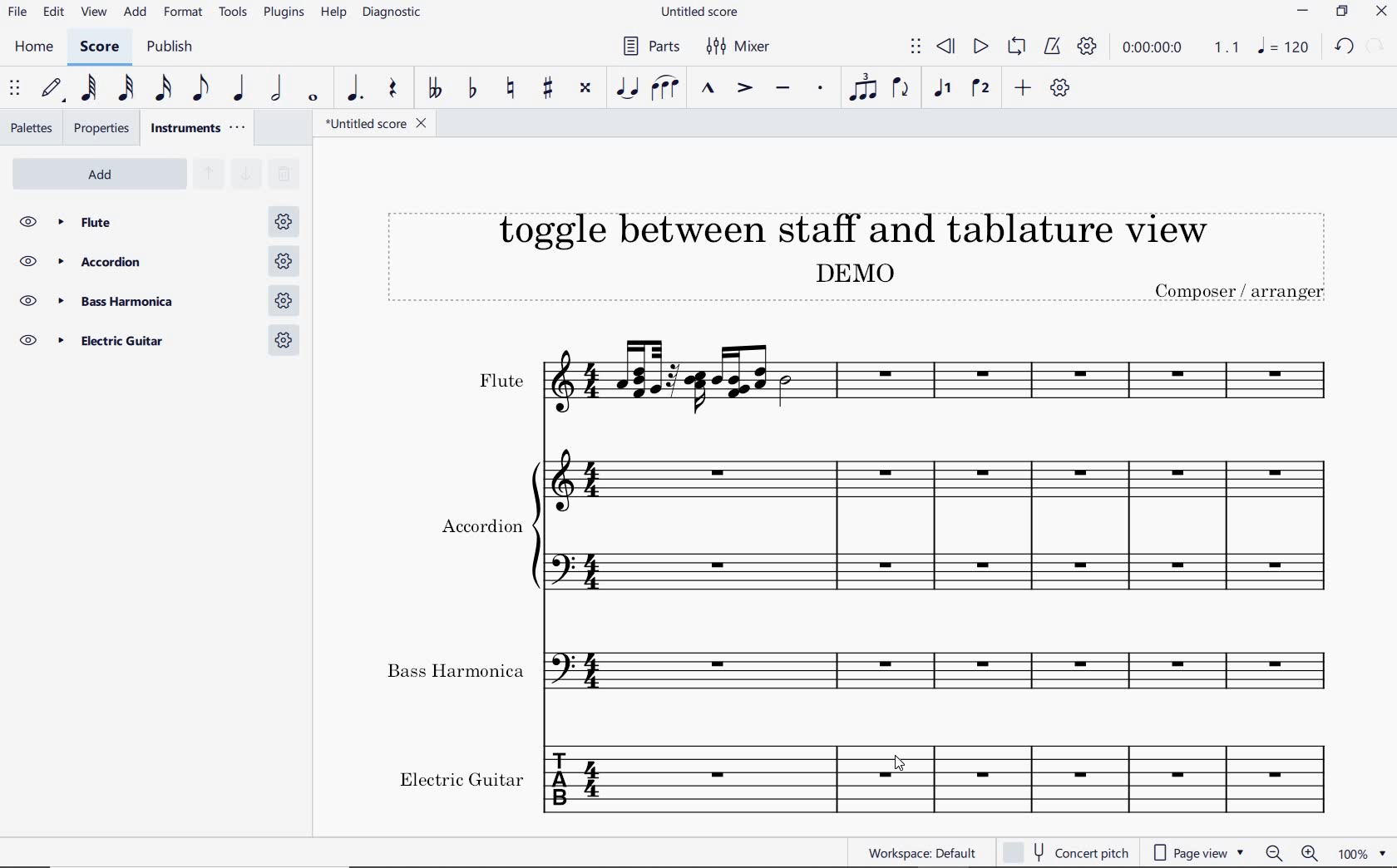 This screenshot has height=868, width=1397. I want to click on MOVE SELECTED STAVES UP, so click(205, 175).